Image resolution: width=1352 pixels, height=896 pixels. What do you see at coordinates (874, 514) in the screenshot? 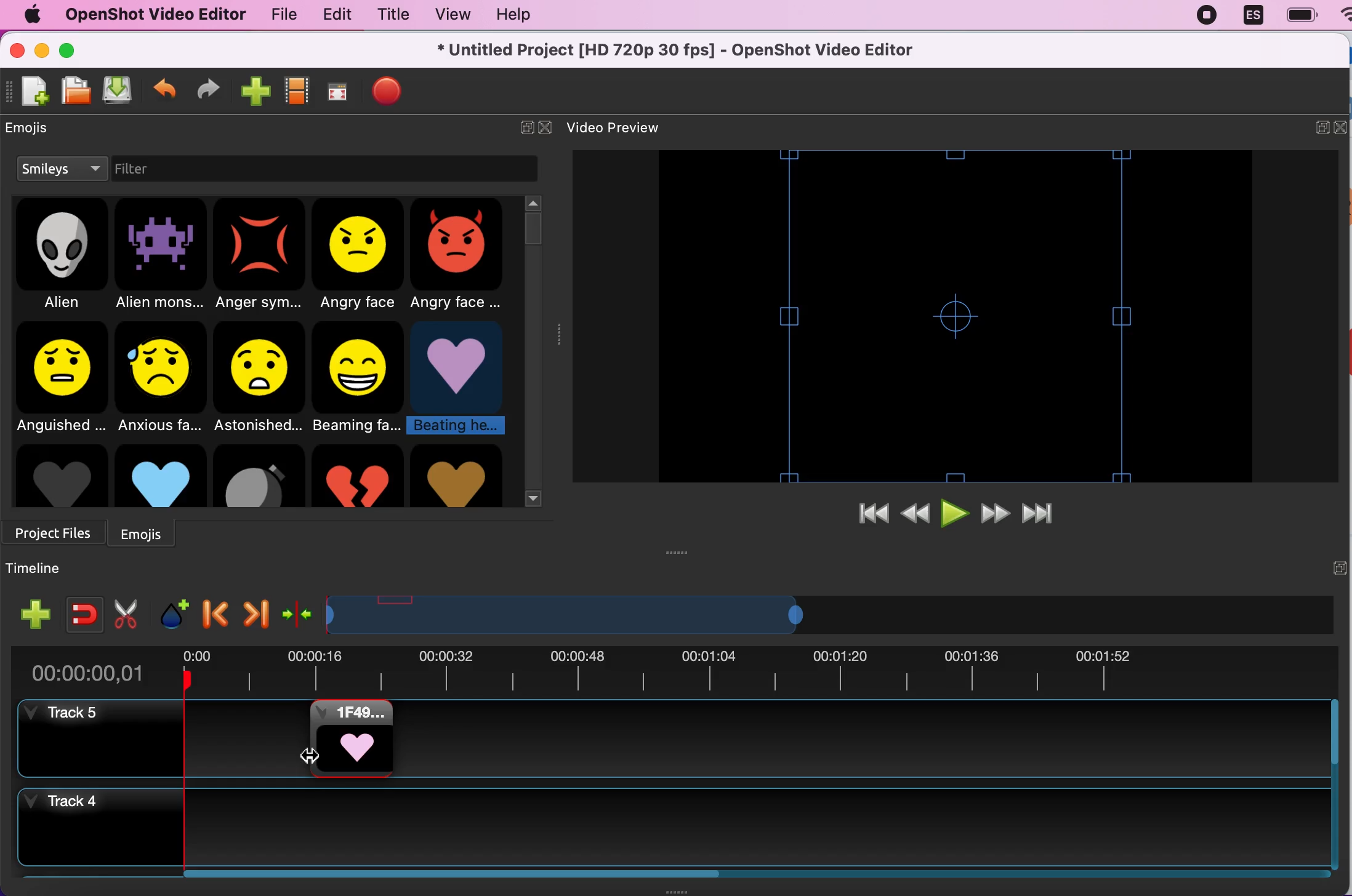
I see `jump to start` at bounding box center [874, 514].